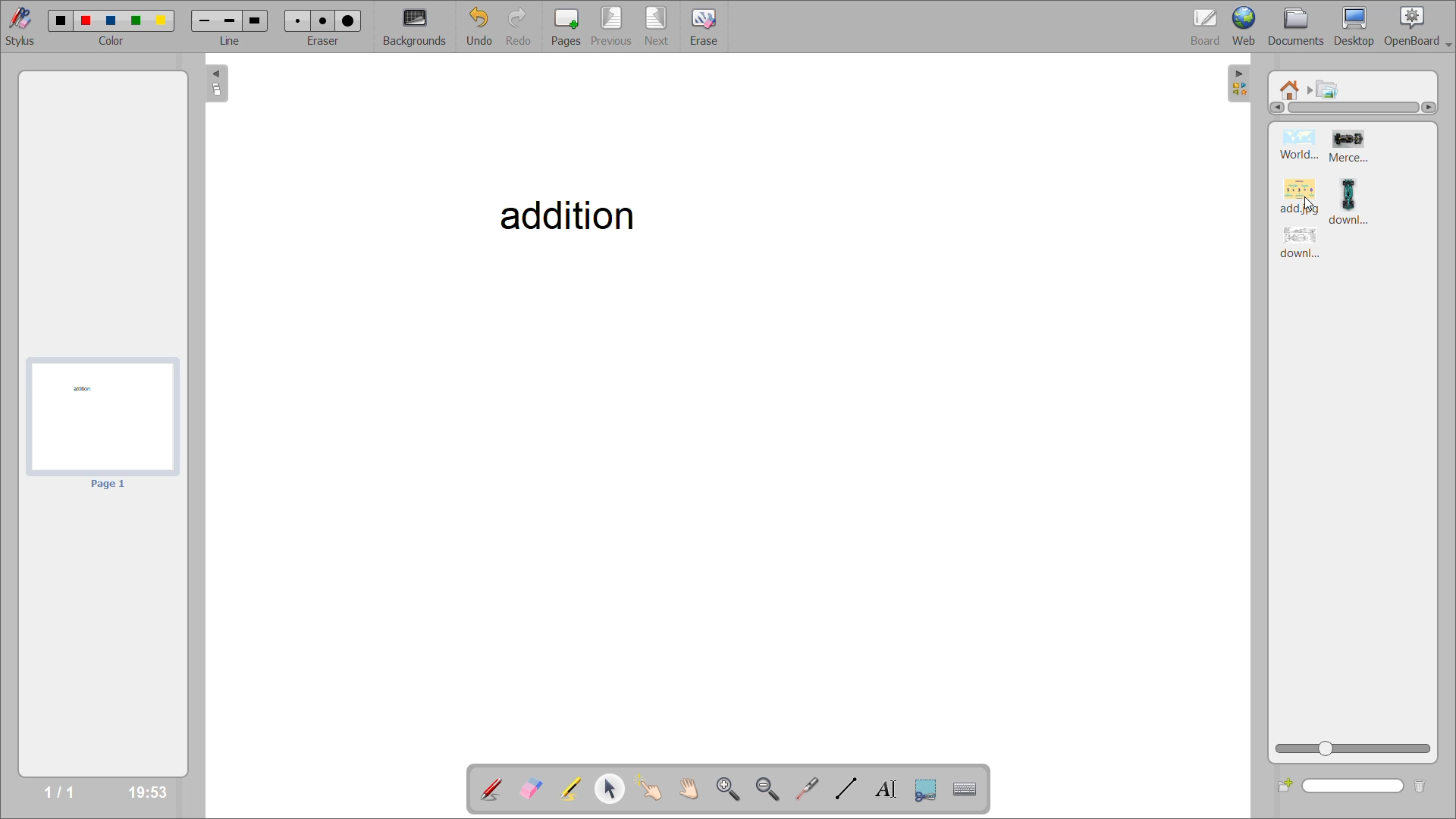 The image size is (1456, 819). What do you see at coordinates (1207, 27) in the screenshot?
I see `board` at bounding box center [1207, 27].